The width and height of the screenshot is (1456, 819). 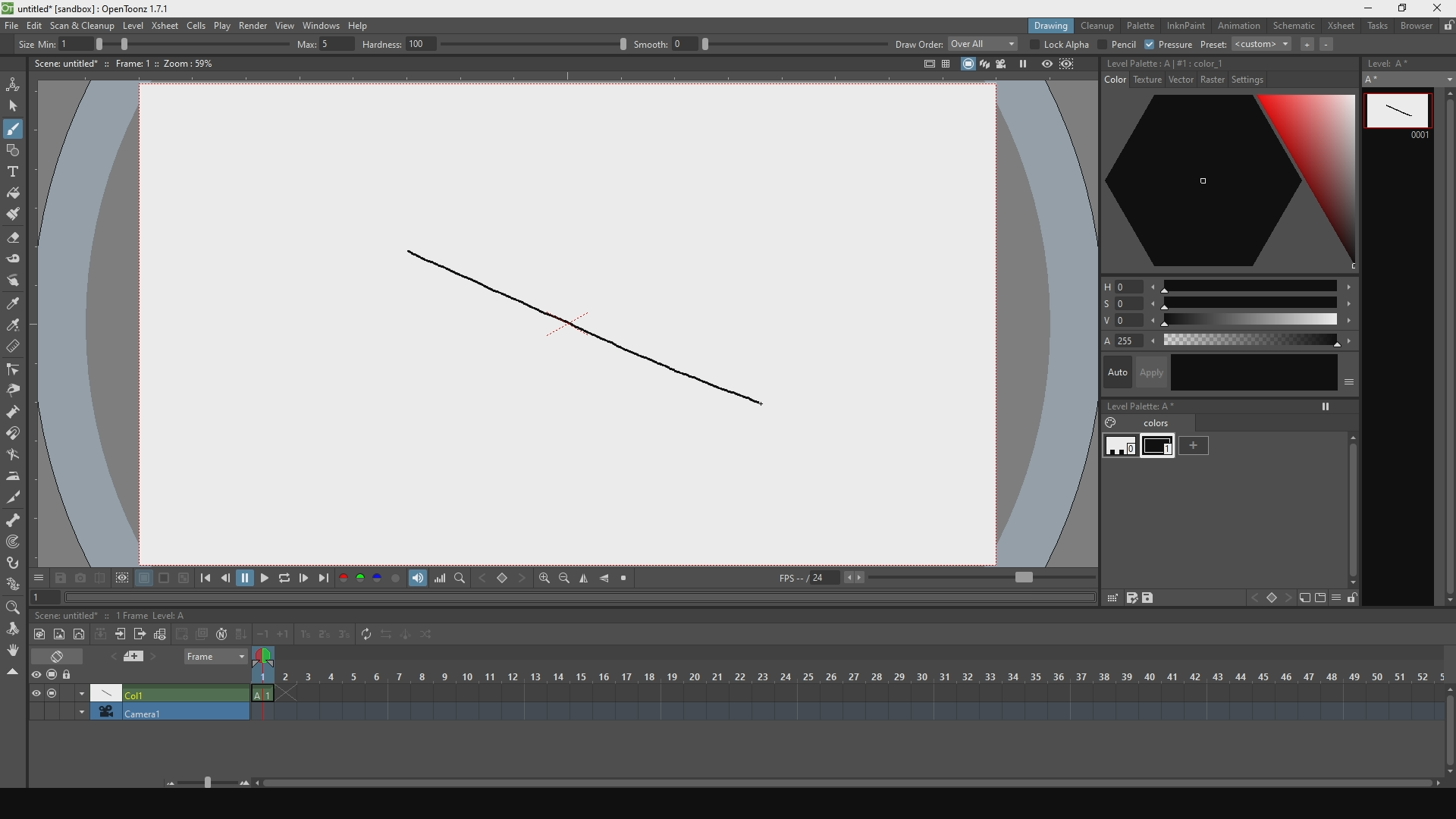 What do you see at coordinates (14, 652) in the screenshot?
I see `rotate` at bounding box center [14, 652].